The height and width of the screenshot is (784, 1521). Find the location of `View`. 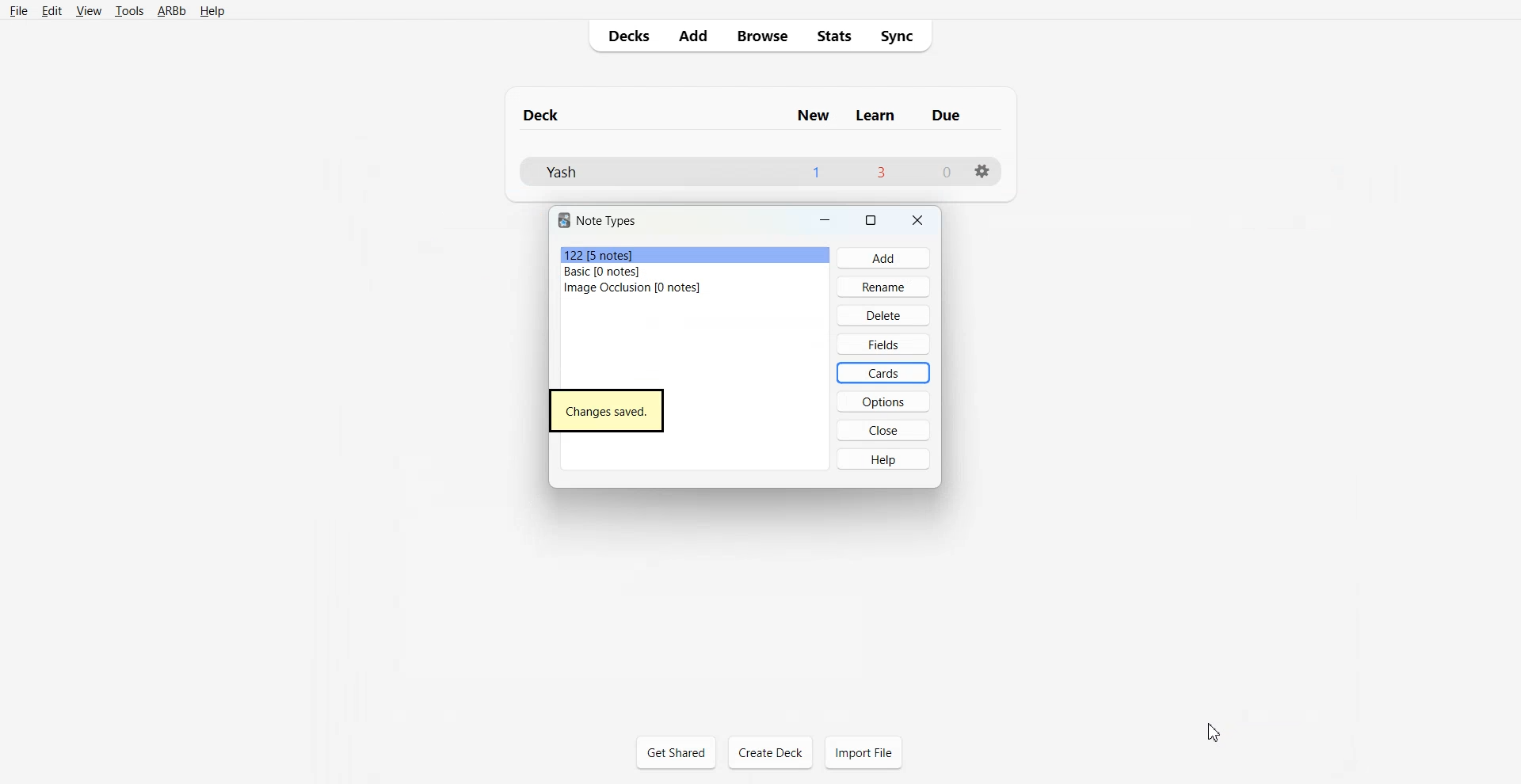

View is located at coordinates (89, 10).